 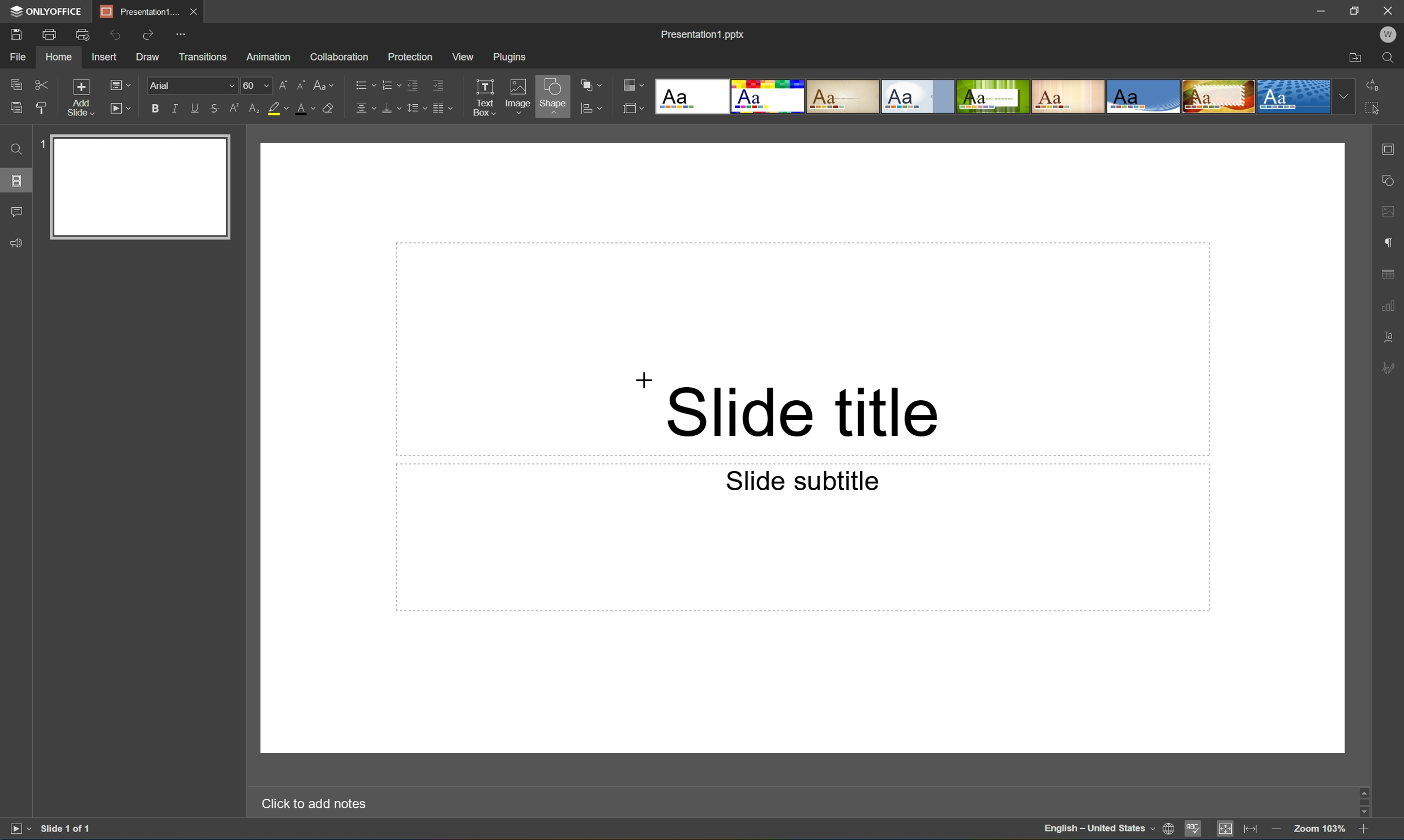 What do you see at coordinates (1352, 11) in the screenshot?
I see `Restore down` at bounding box center [1352, 11].